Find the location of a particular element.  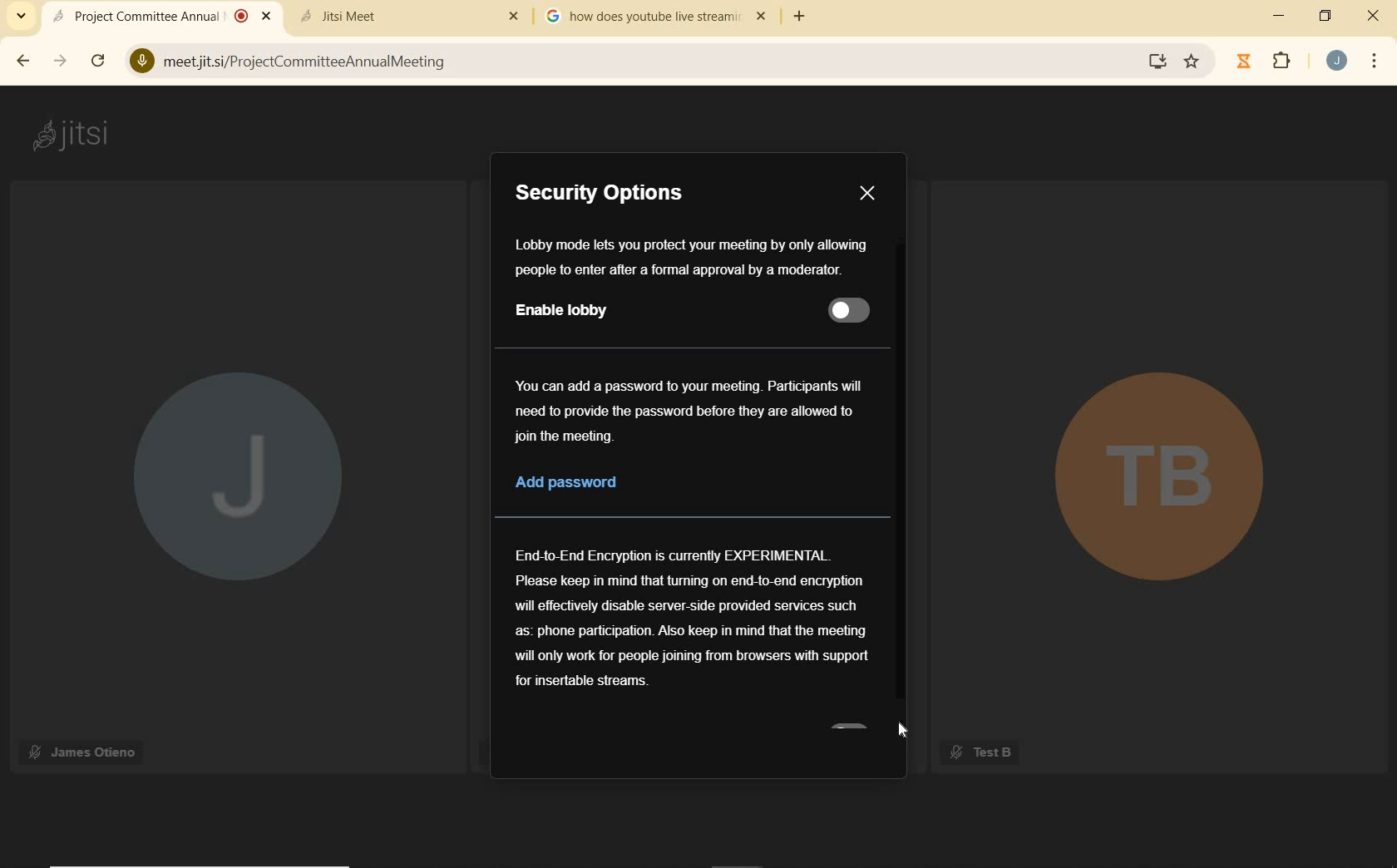

CLOSE is located at coordinates (1368, 15).